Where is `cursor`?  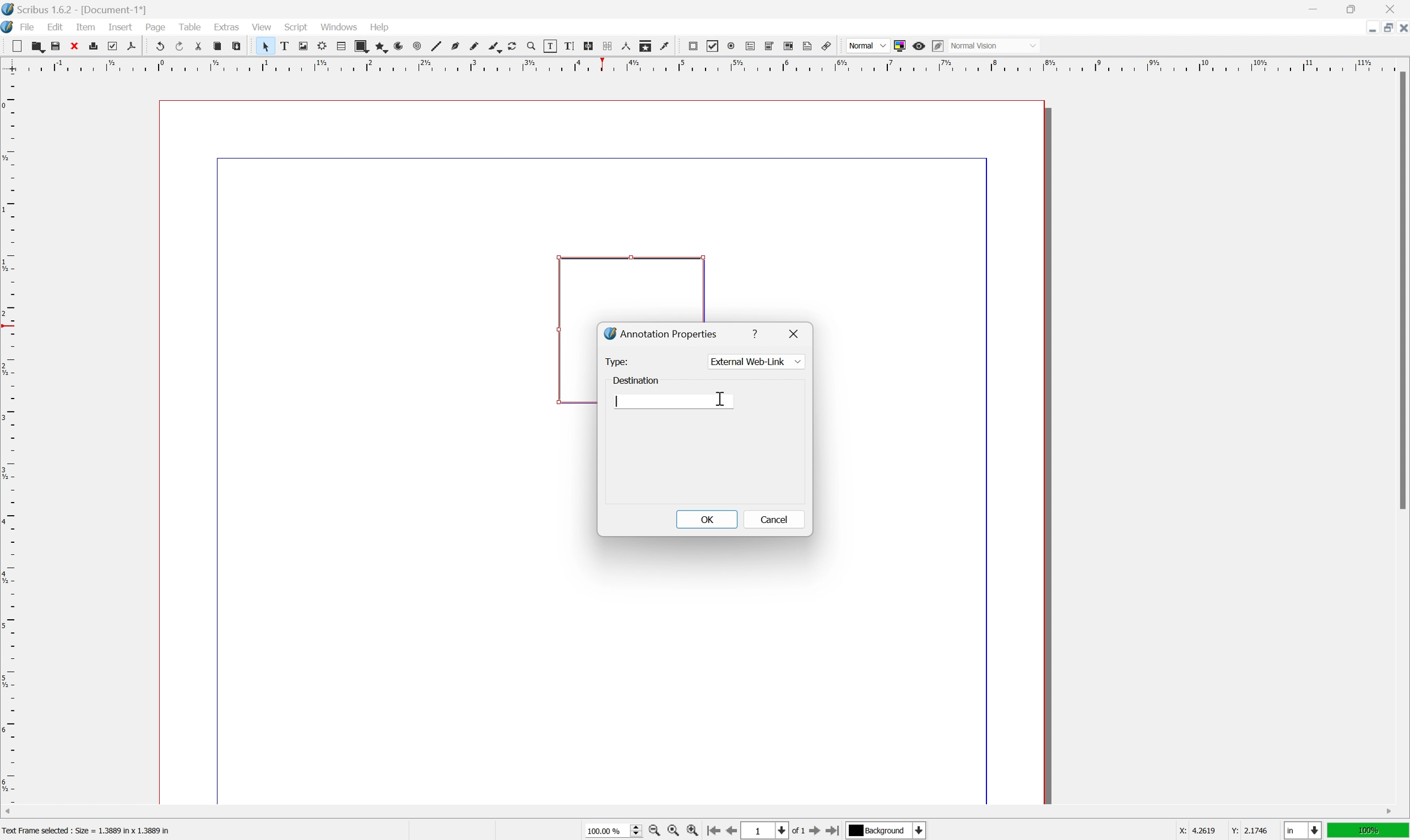
cursor is located at coordinates (717, 396).